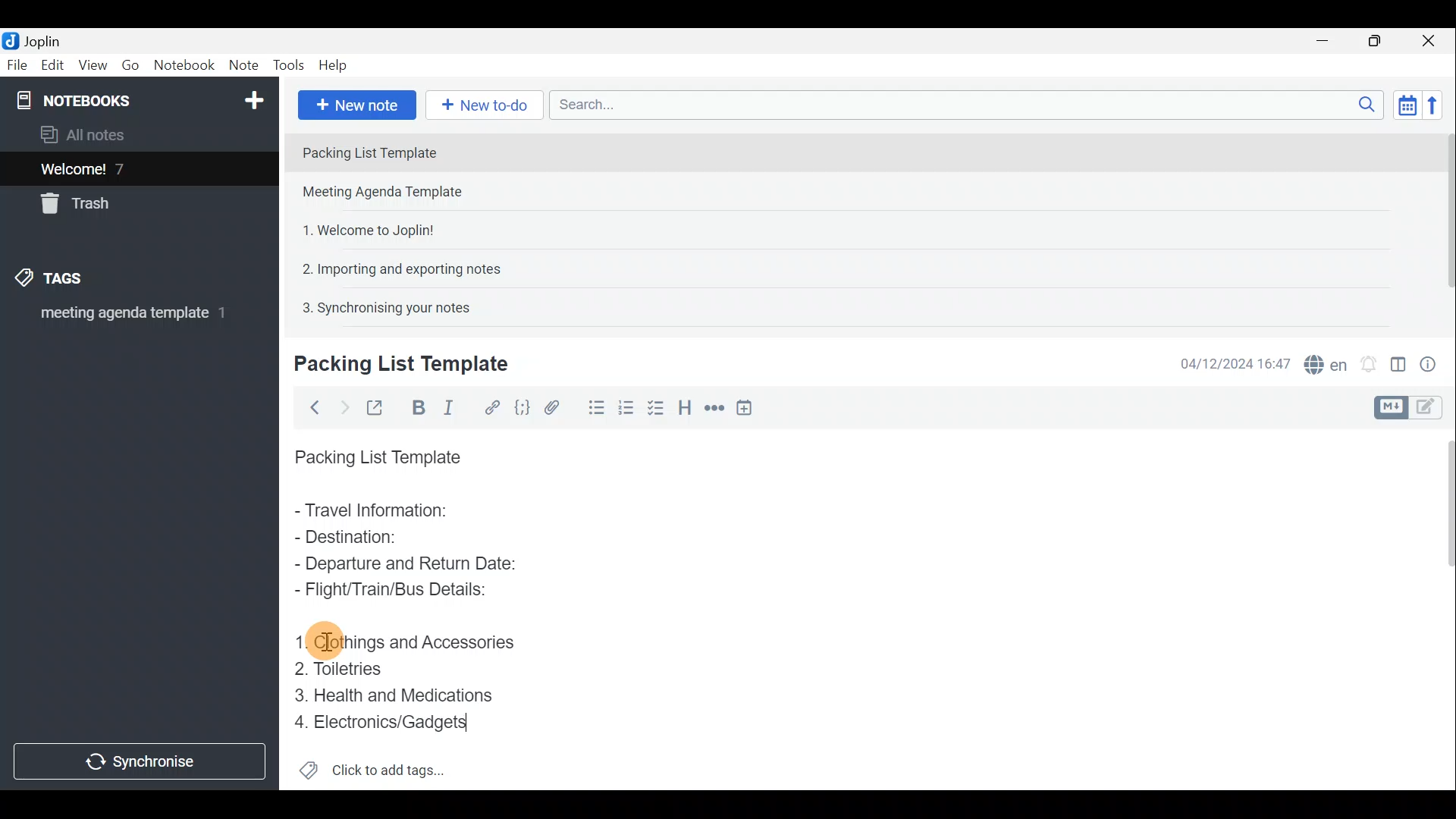 Image resolution: width=1456 pixels, height=819 pixels. What do you see at coordinates (131, 65) in the screenshot?
I see `Go` at bounding box center [131, 65].